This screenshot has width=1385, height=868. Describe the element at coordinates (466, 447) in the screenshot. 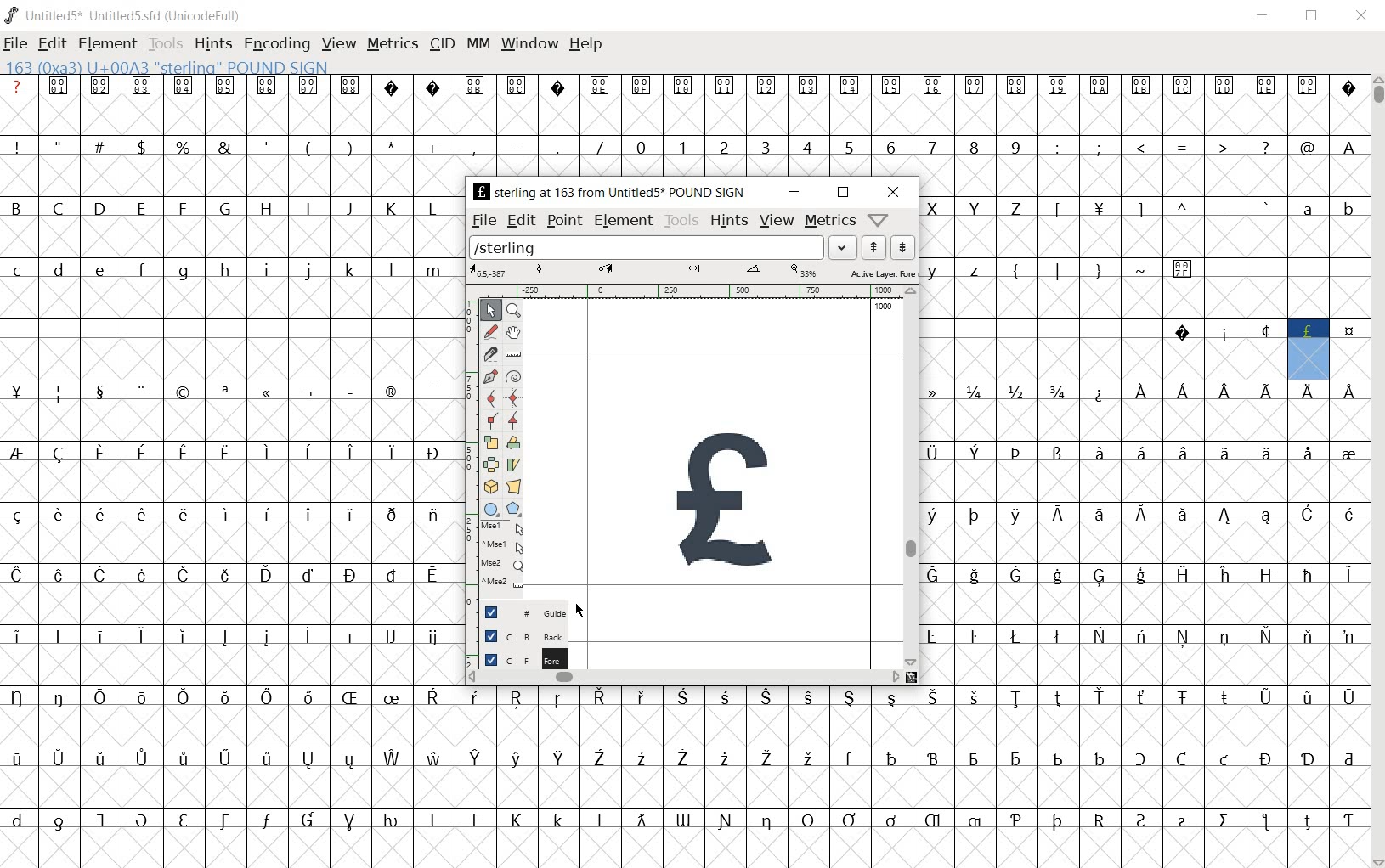

I see `scale` at that location.